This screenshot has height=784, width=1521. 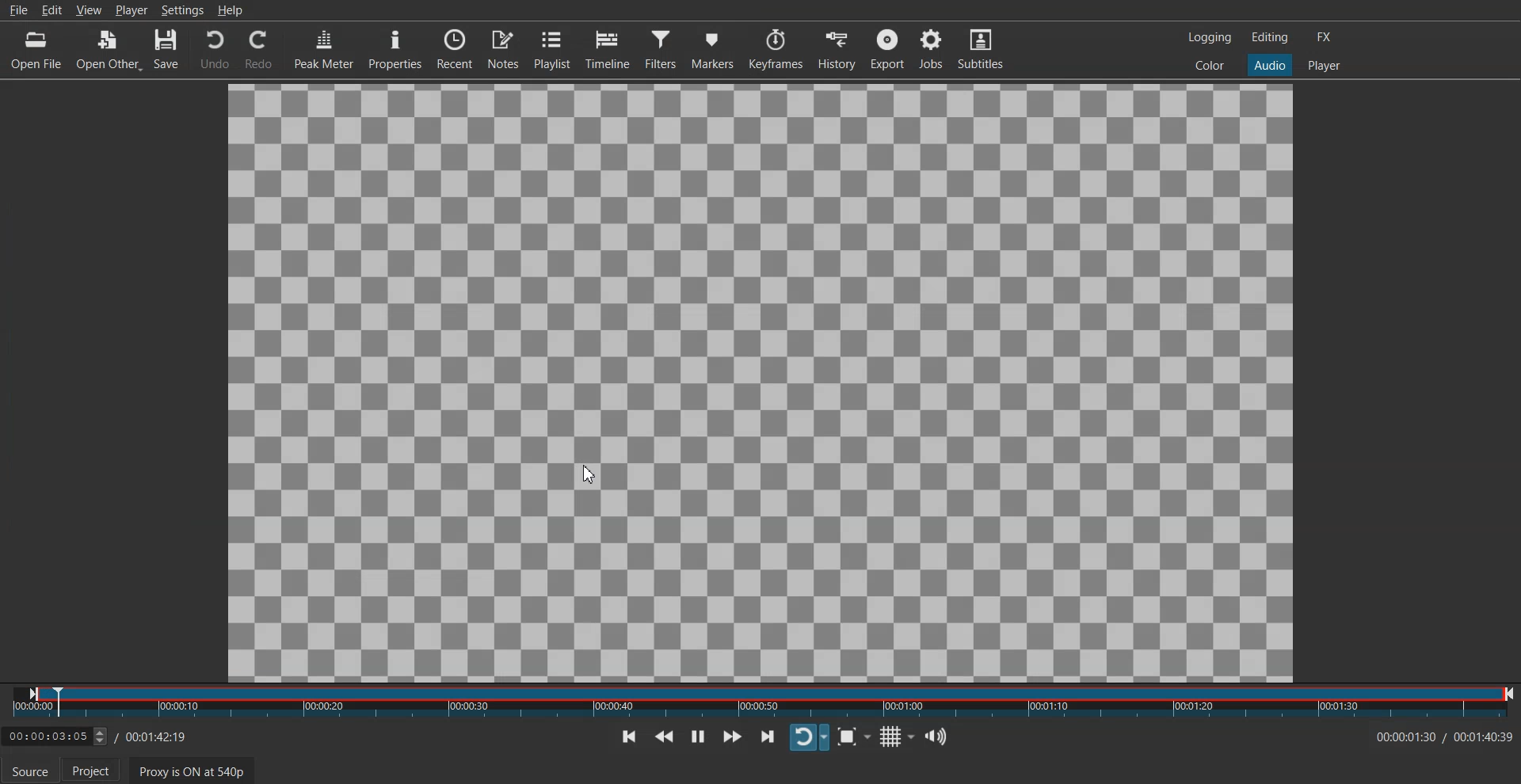 I want to click on Edit, so click(x=51, y=10).